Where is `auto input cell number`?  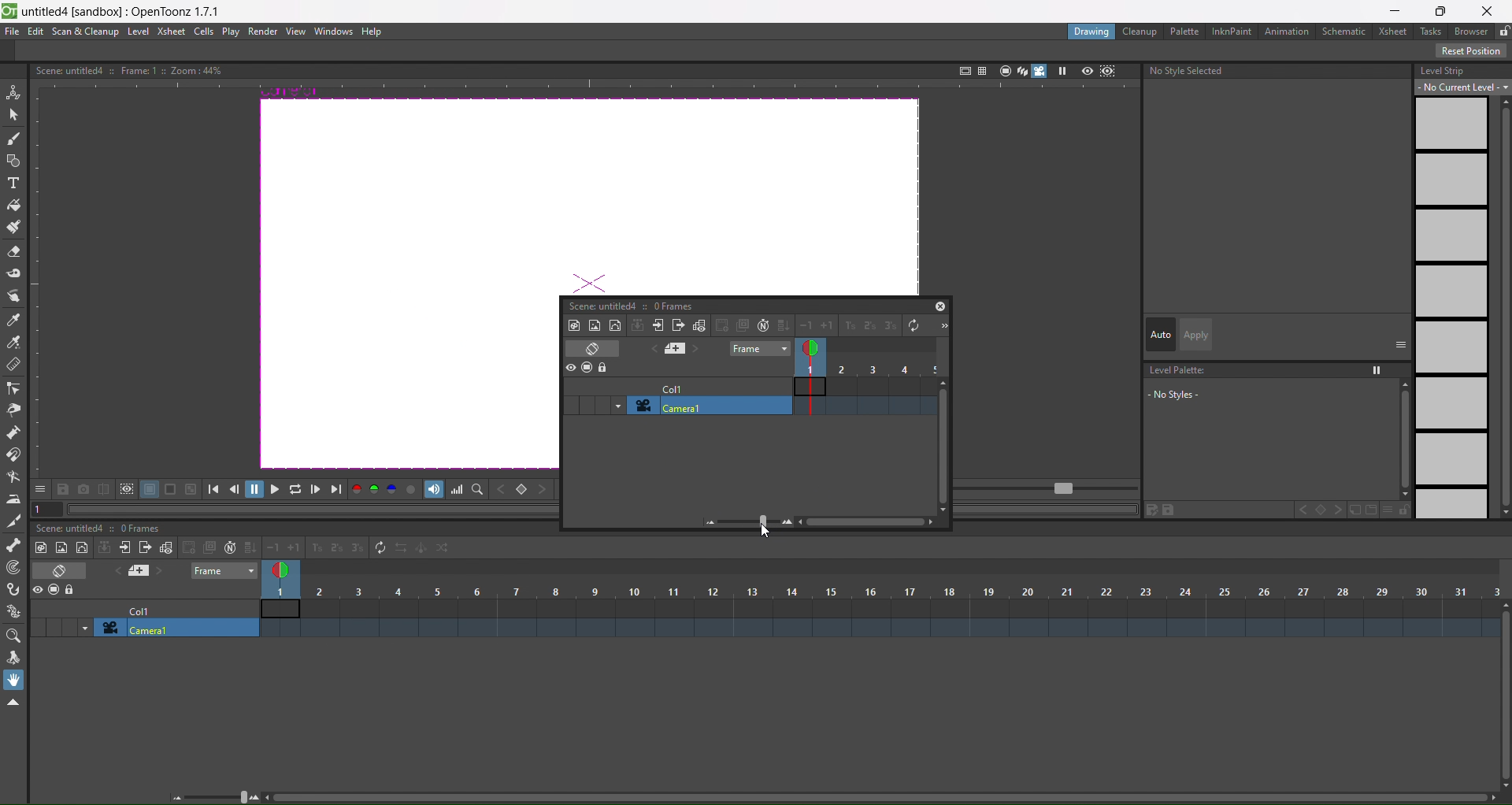 auto input cell number is located at coordinates (227, 548).